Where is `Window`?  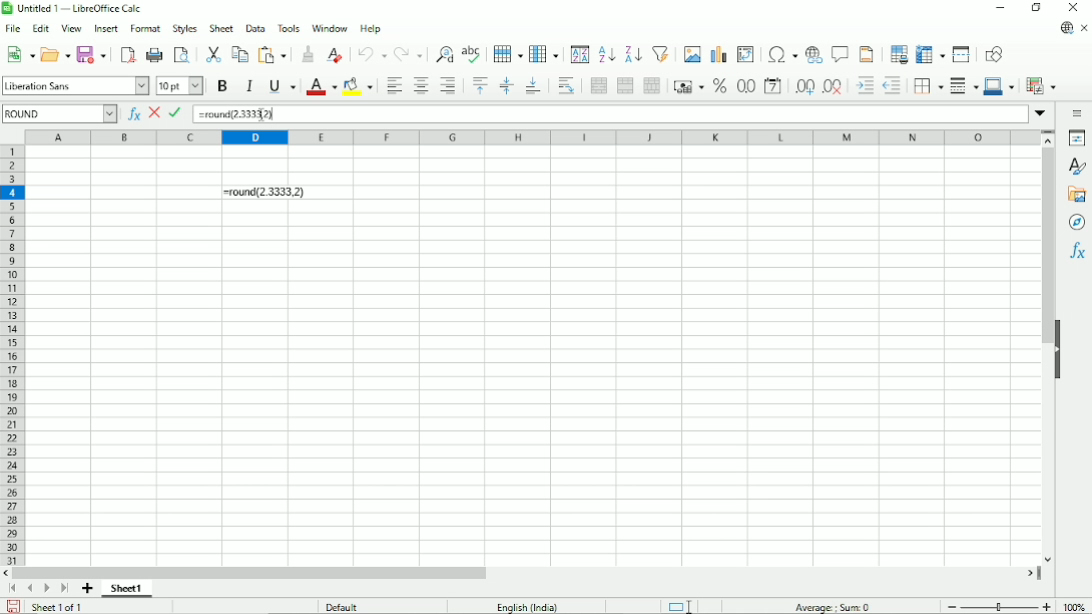
Window is located at coordinates (330, 28).